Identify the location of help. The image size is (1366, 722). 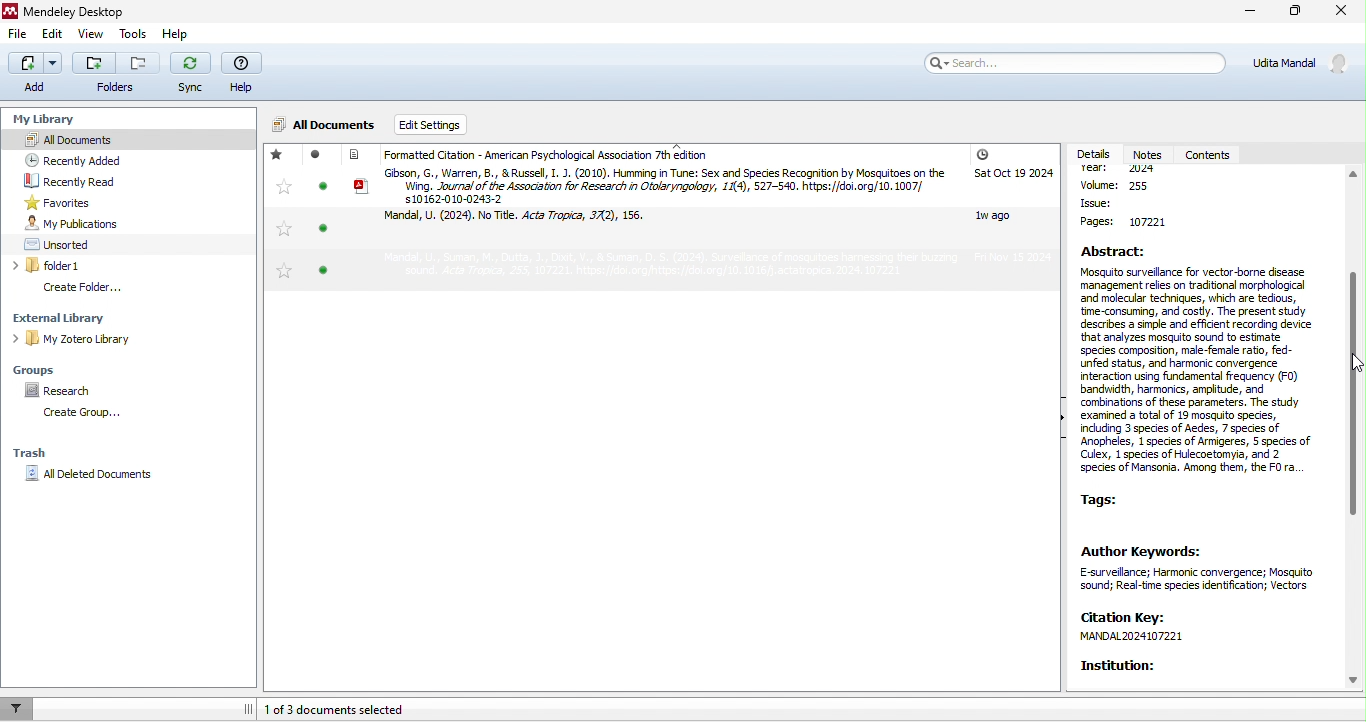
(242, 74).